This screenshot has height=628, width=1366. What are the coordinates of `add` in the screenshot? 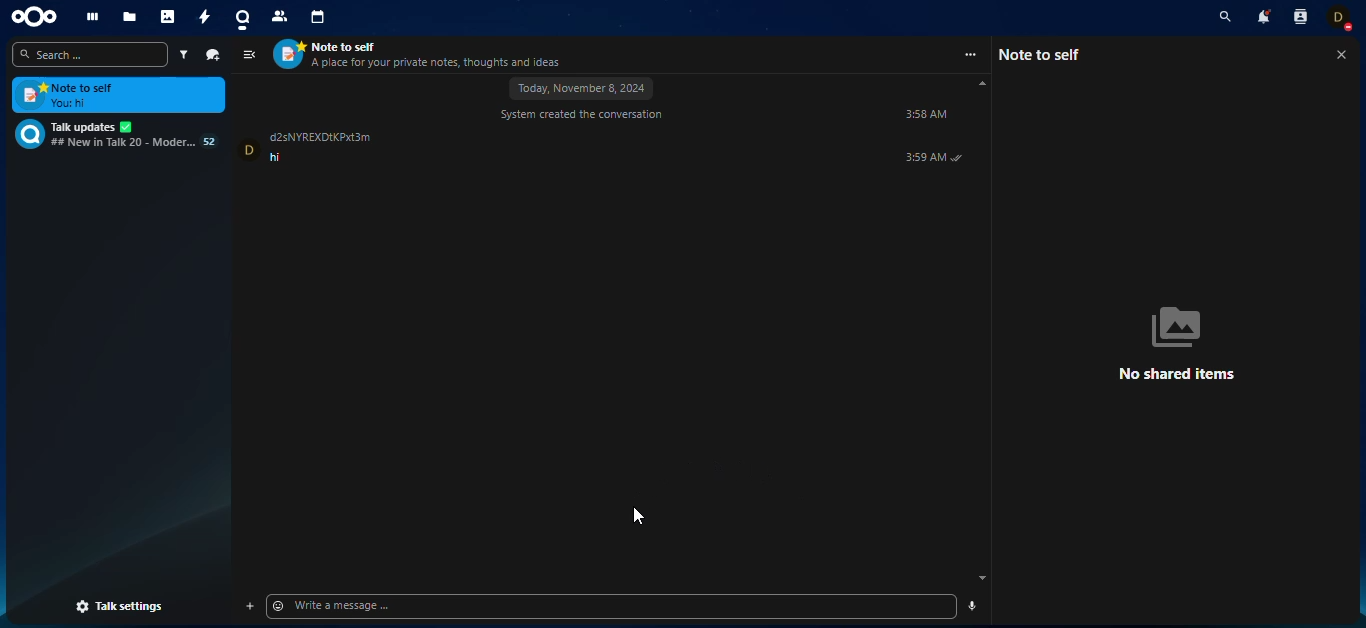 It's located at (252, 606).